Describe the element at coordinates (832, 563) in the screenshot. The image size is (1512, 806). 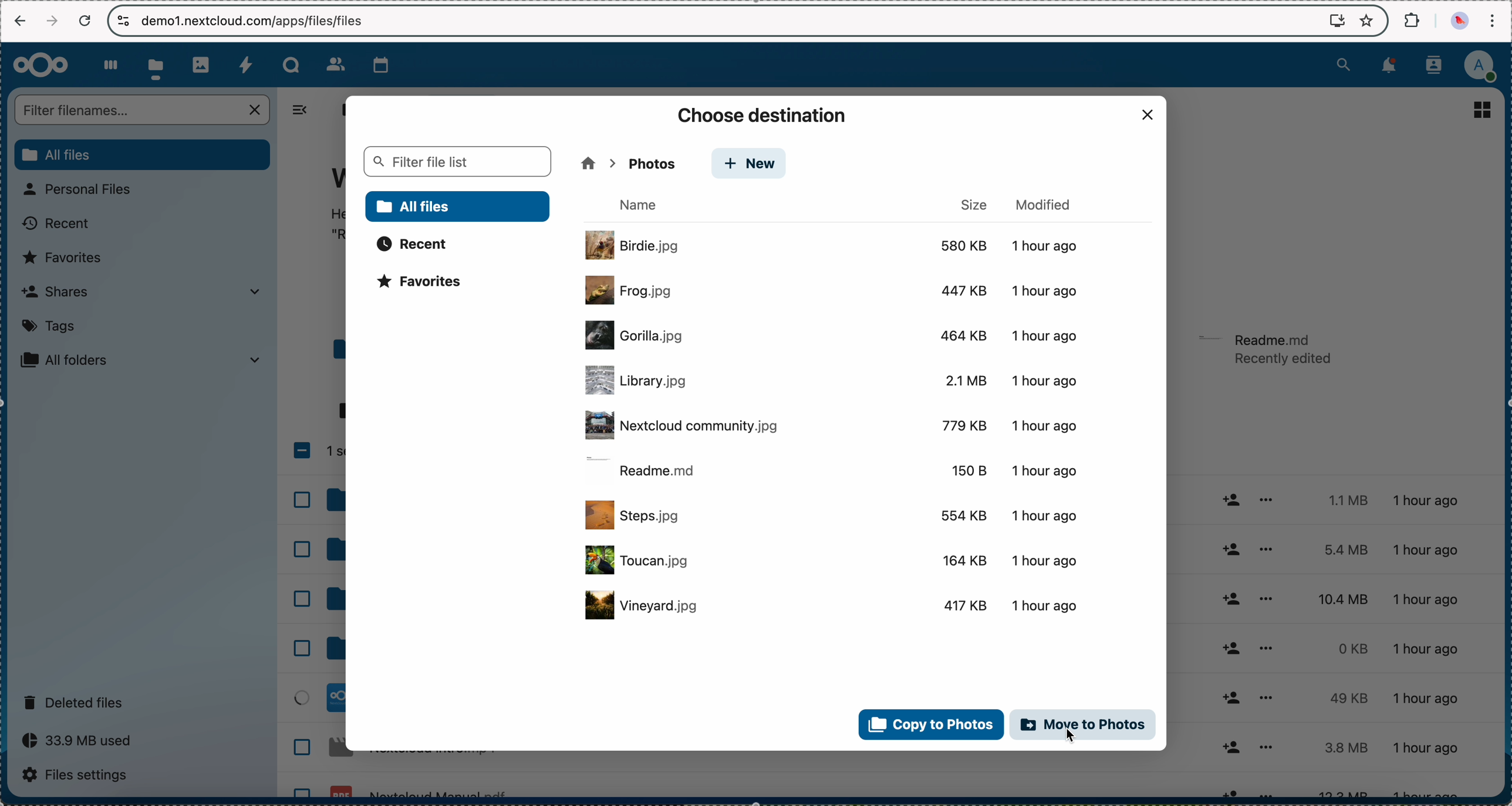
I see `file` at that location.